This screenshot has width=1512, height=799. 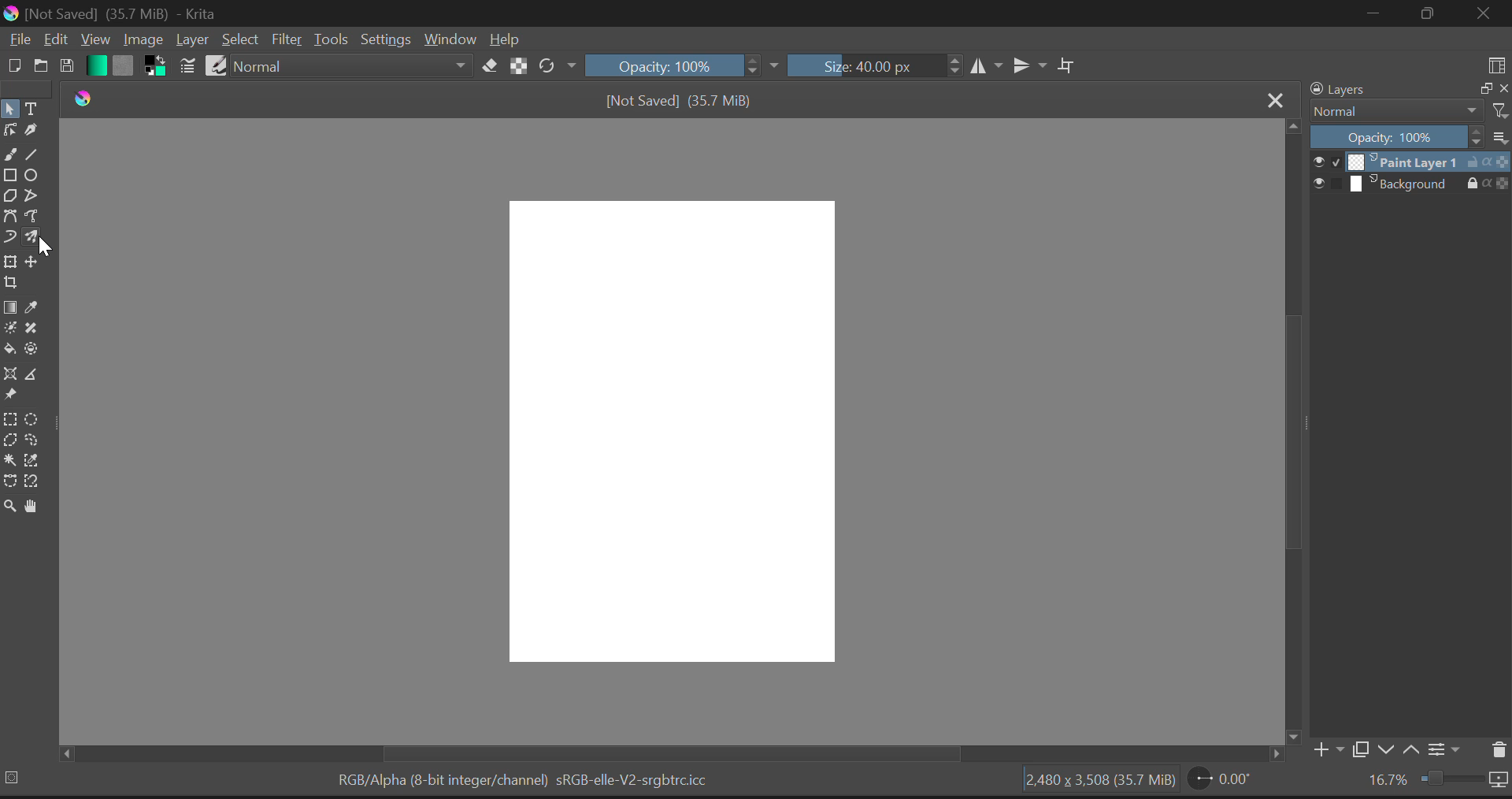 What do you see at coordinates (9, 239) in the screenshot?
I see `Dynamic Brush` at bounding box center [9, 239].